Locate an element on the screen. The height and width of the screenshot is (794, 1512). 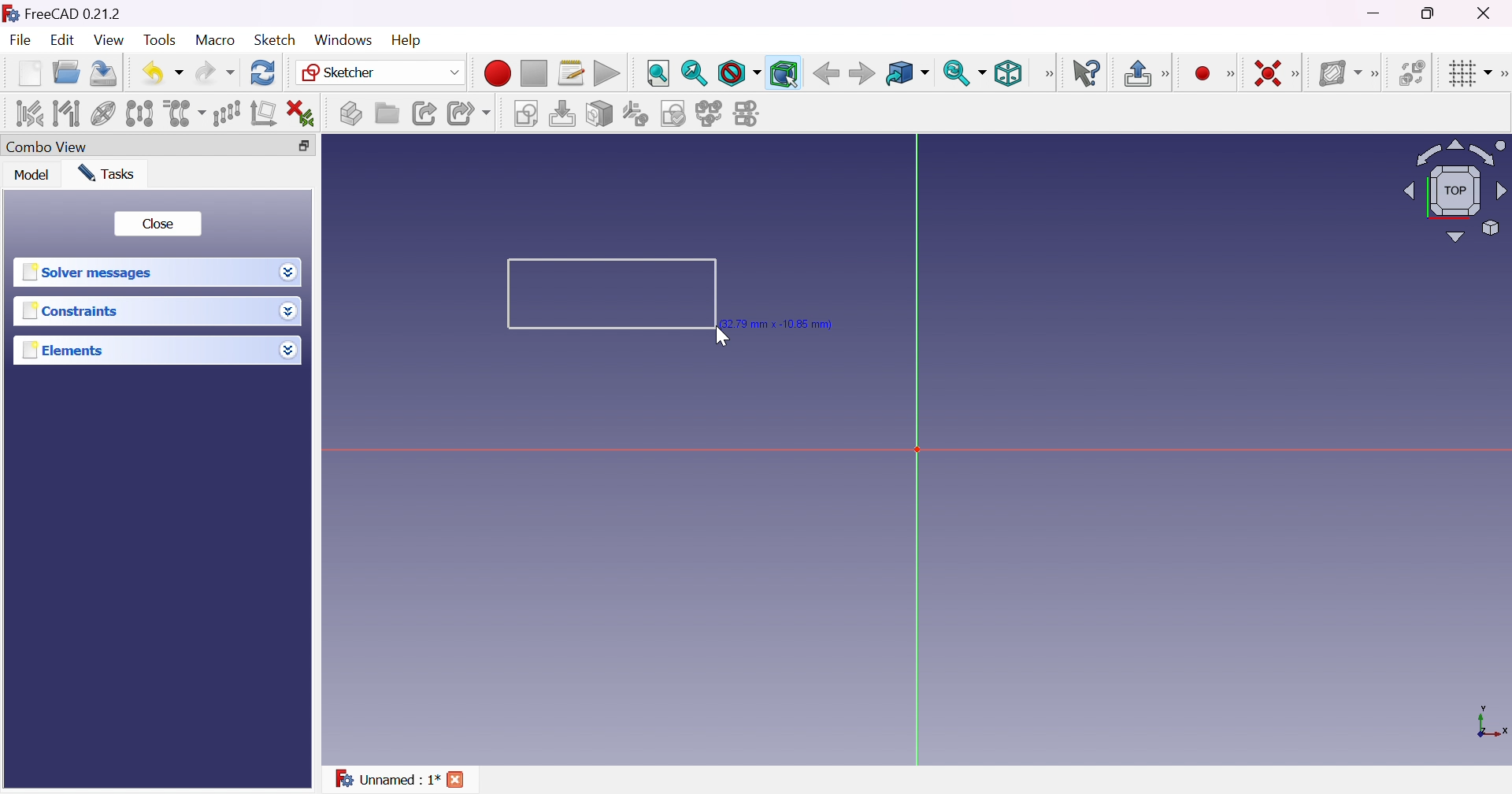
Edit is located at coordinates (63, 40).